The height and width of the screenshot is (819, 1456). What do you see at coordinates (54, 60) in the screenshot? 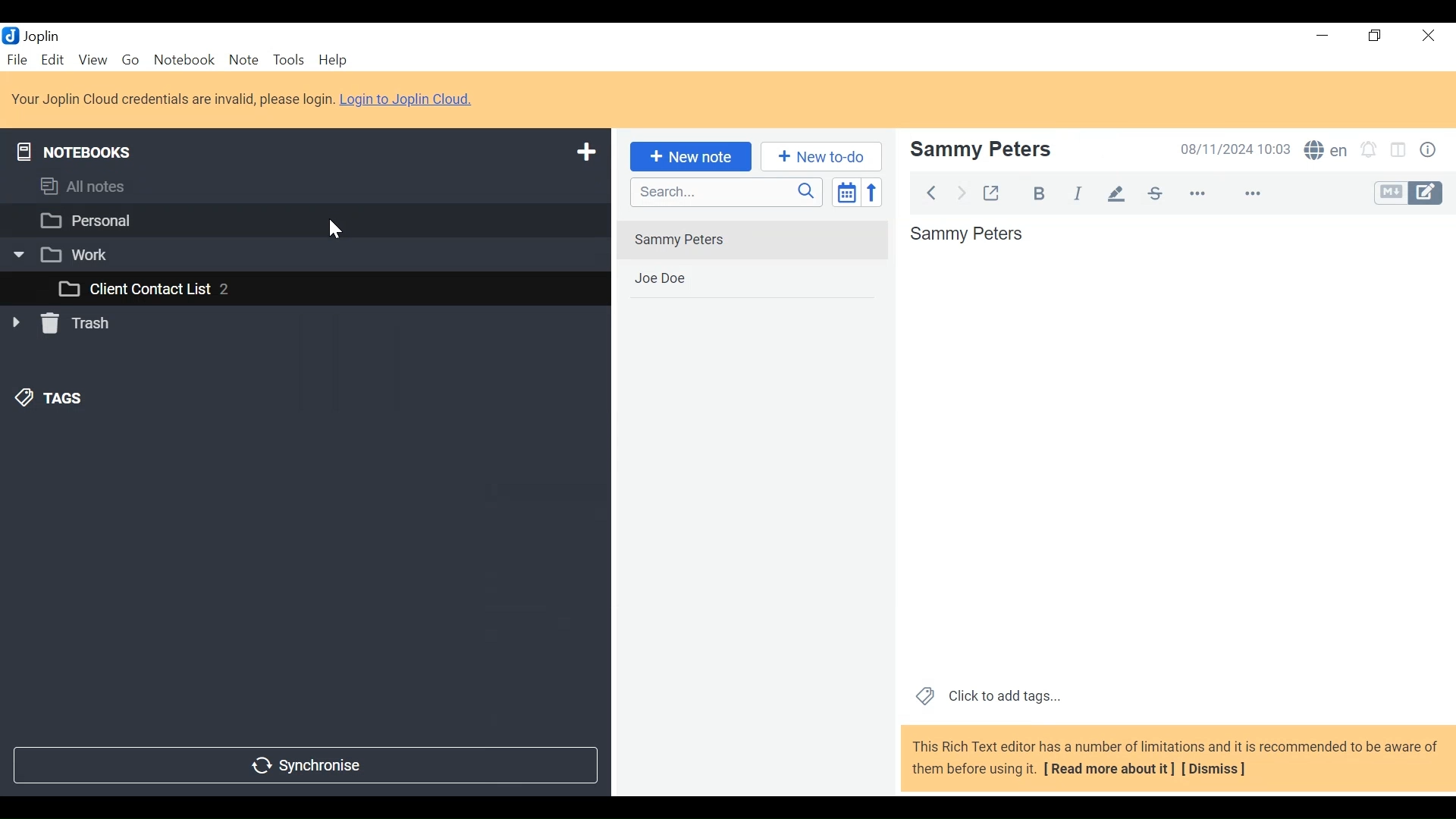
I see `` at bounding box center [54, 60].